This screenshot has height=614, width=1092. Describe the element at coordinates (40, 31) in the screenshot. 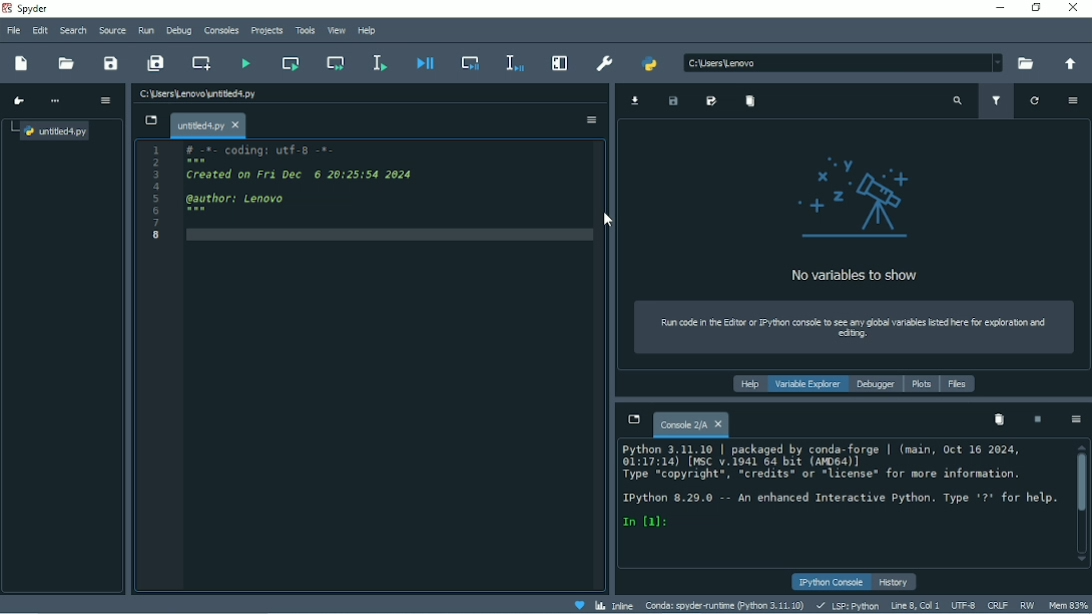

I see `Edit` at that location.